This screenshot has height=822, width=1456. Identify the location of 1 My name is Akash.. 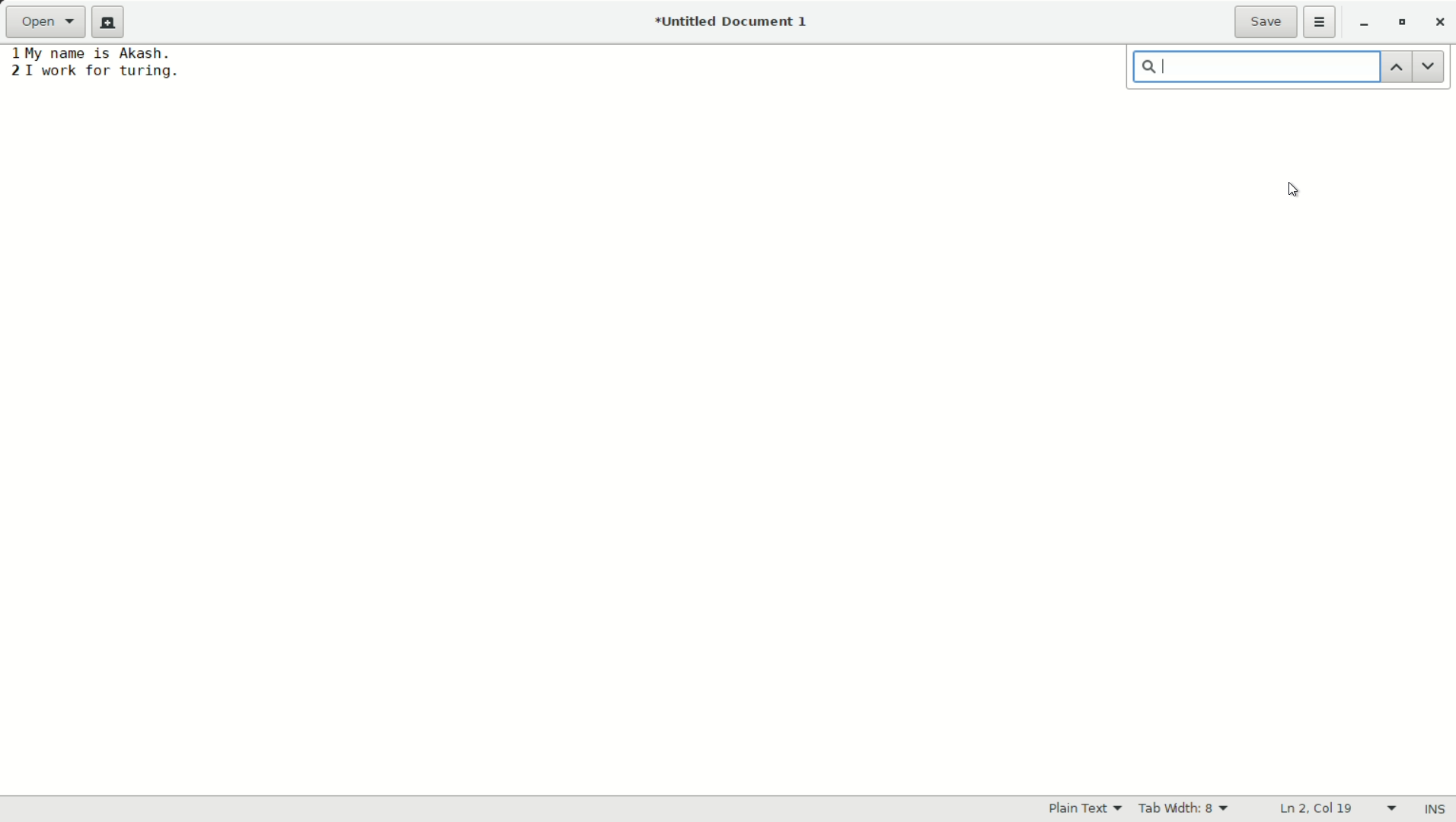
(91, 53).